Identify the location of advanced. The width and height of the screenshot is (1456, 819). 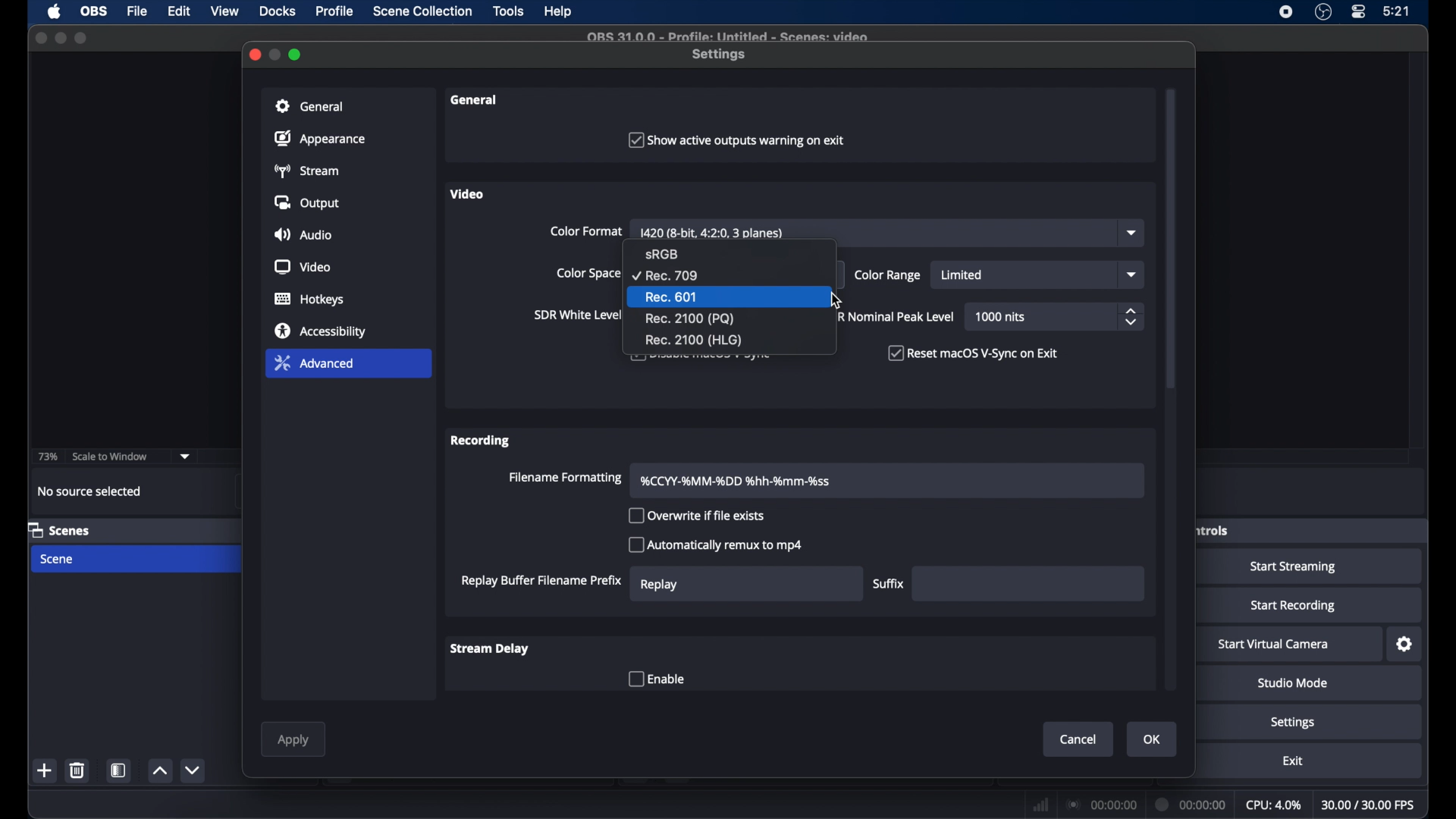
(315, 362).